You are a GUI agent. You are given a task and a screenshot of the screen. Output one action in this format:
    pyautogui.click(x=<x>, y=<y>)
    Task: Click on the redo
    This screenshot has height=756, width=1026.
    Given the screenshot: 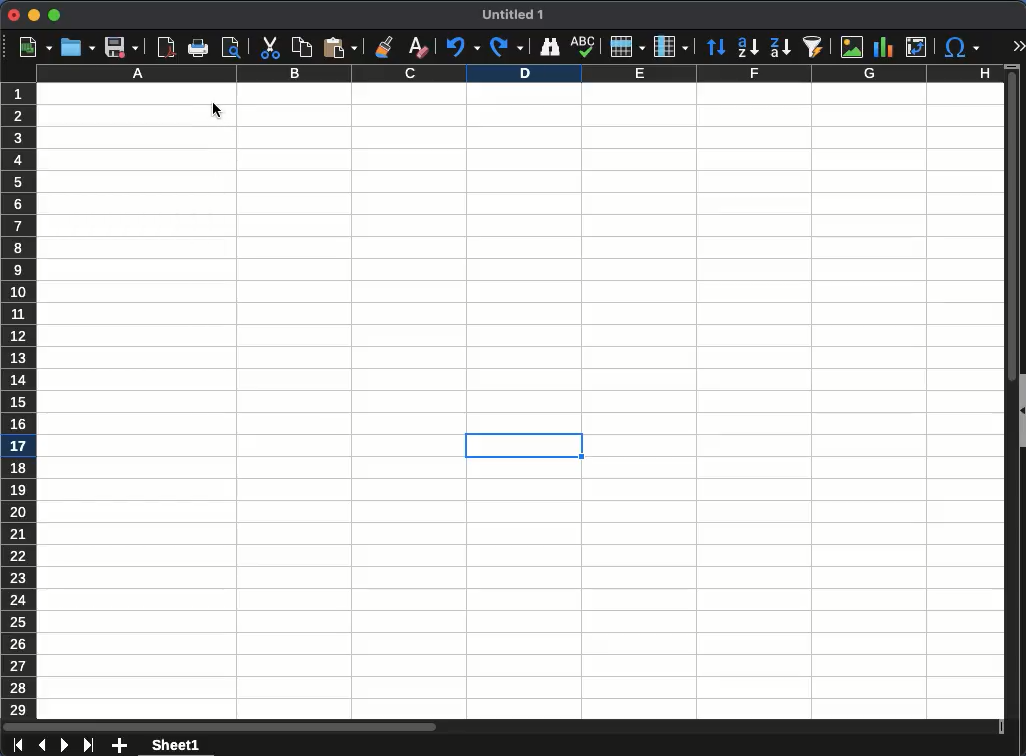 What is the action you would take?
    pyautogui.click(x=508, y=47)
    